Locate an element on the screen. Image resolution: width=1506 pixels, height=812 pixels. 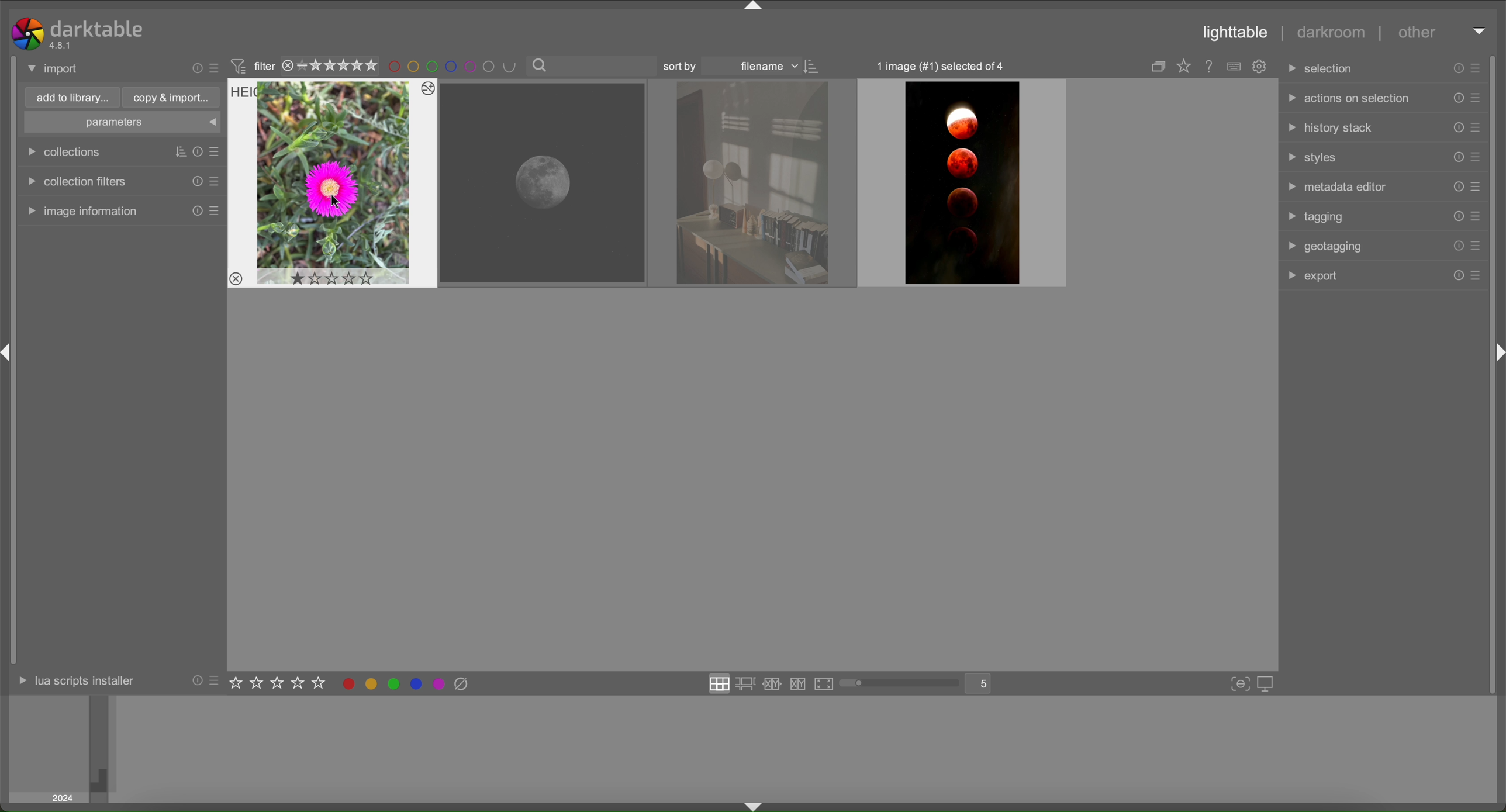
reset presets is located at coordinates (196, 211).